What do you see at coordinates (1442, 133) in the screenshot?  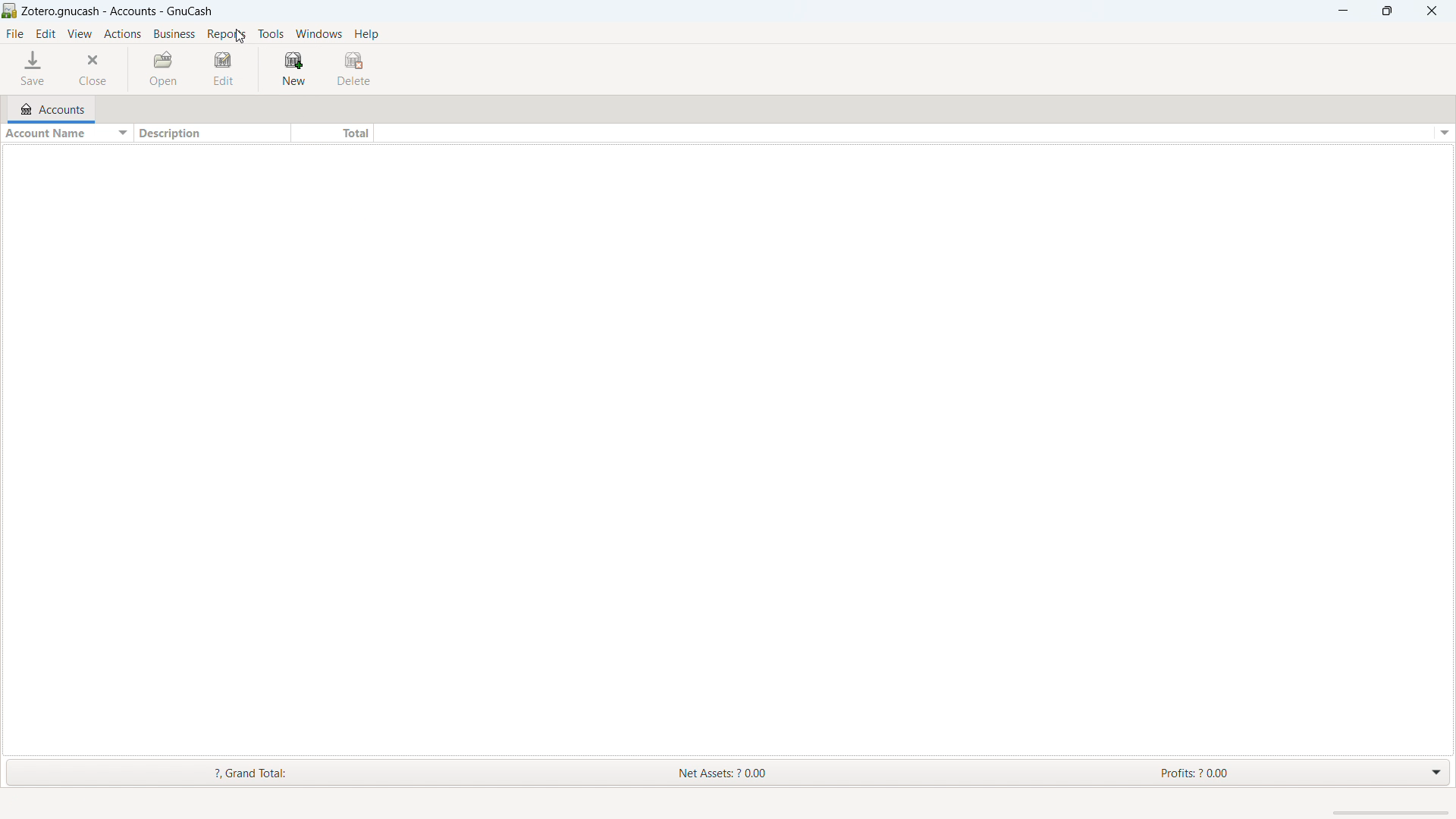 I see `options` at bounding box center [1442, 133].